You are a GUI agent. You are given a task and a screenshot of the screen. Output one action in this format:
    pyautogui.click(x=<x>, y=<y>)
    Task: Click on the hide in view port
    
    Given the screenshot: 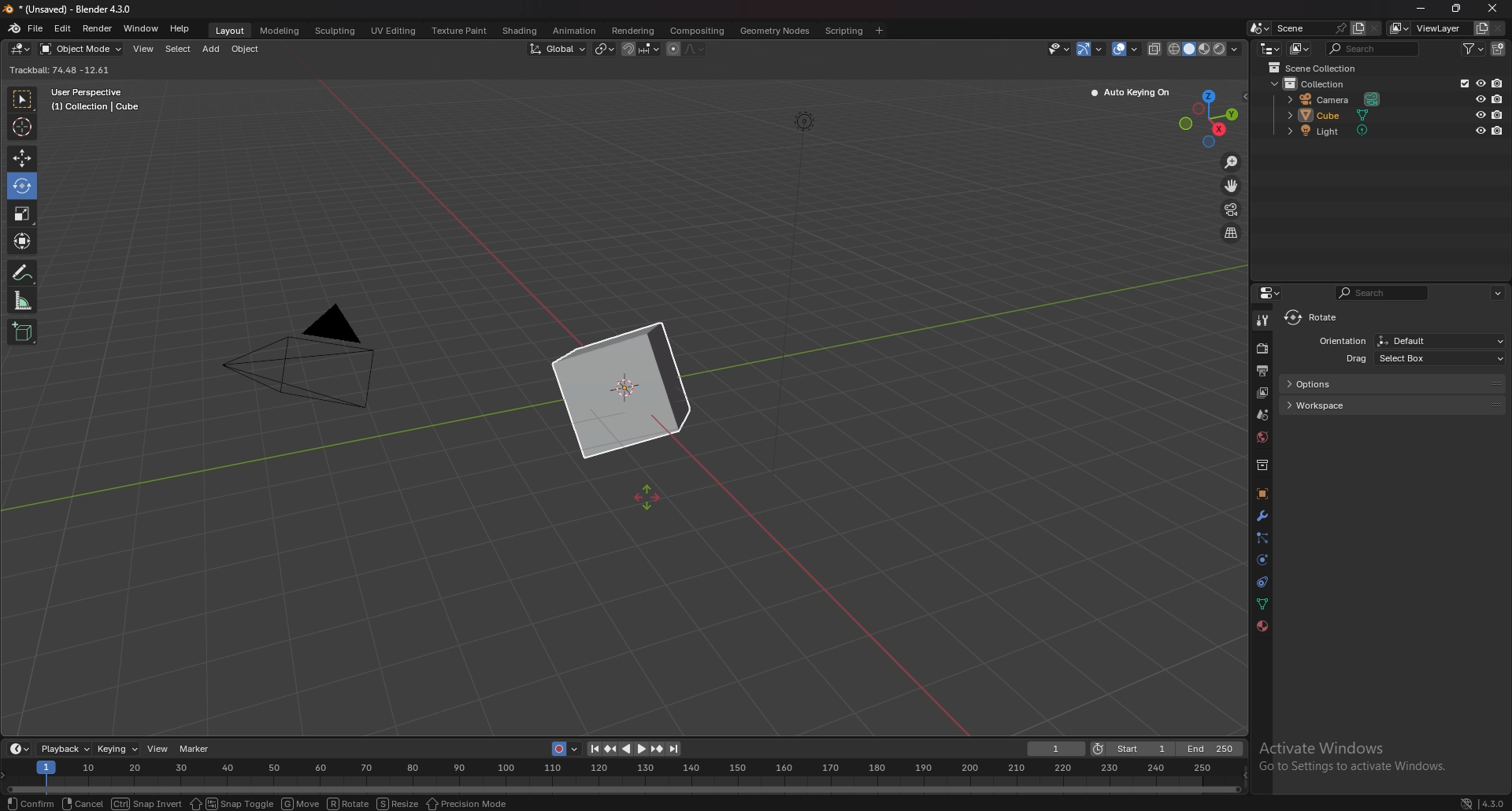 What is the action you would take?
    pyautogui.click(x=1480, y=83)
    